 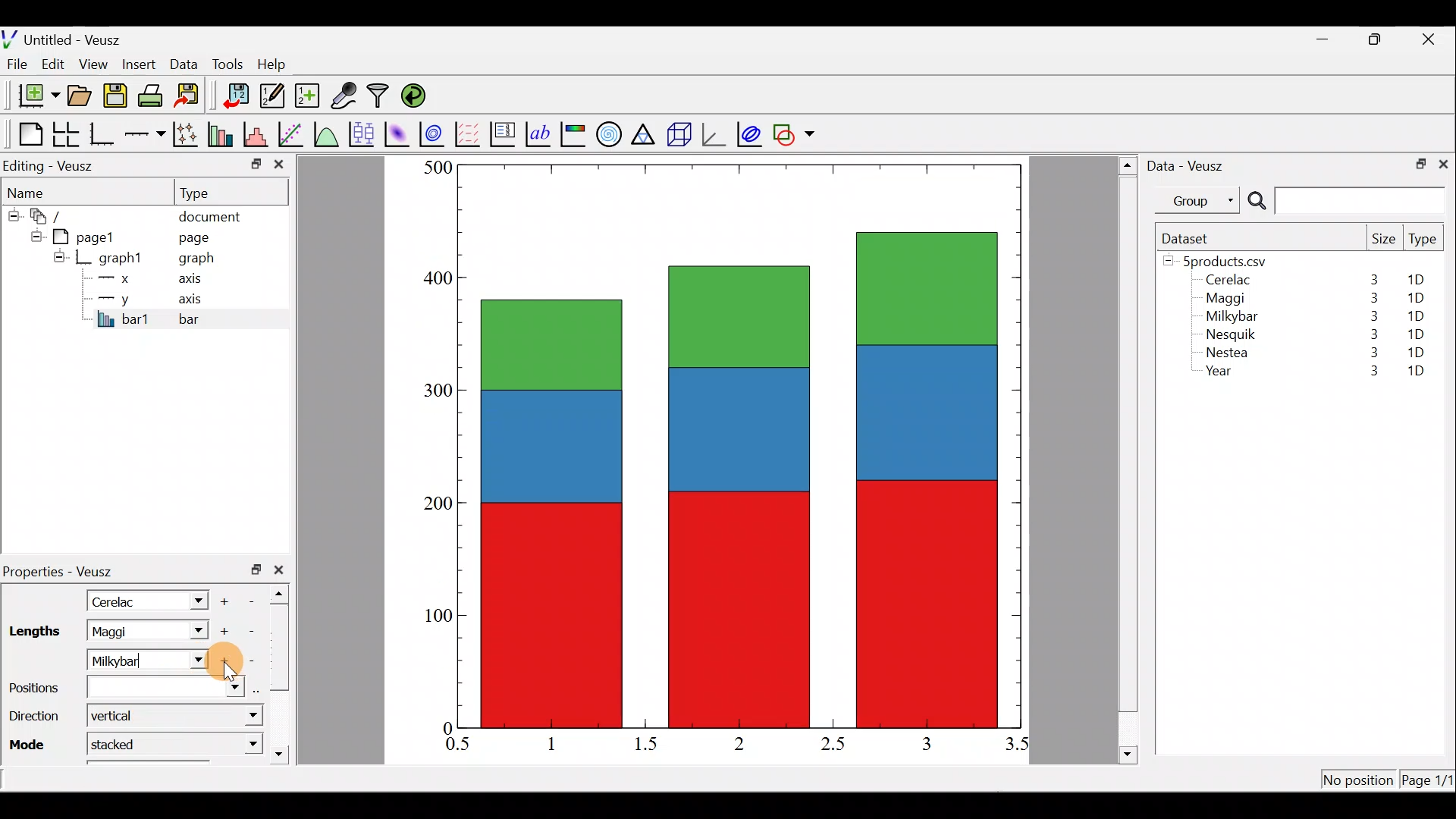 I want to click on 3, so click(x=1366, y=372).